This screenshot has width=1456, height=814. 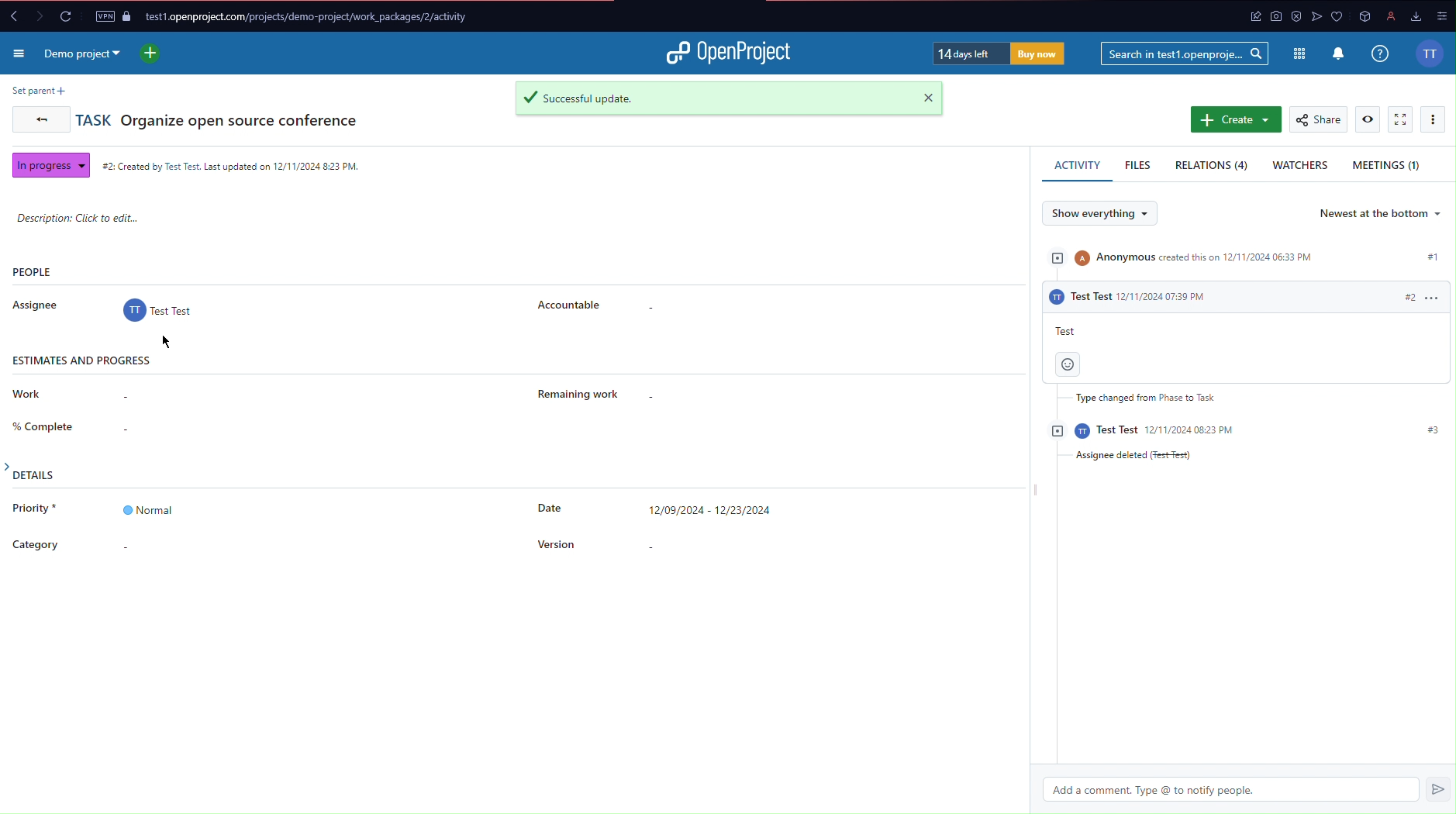 I want to click on Create, so click(x=1233, y=120).